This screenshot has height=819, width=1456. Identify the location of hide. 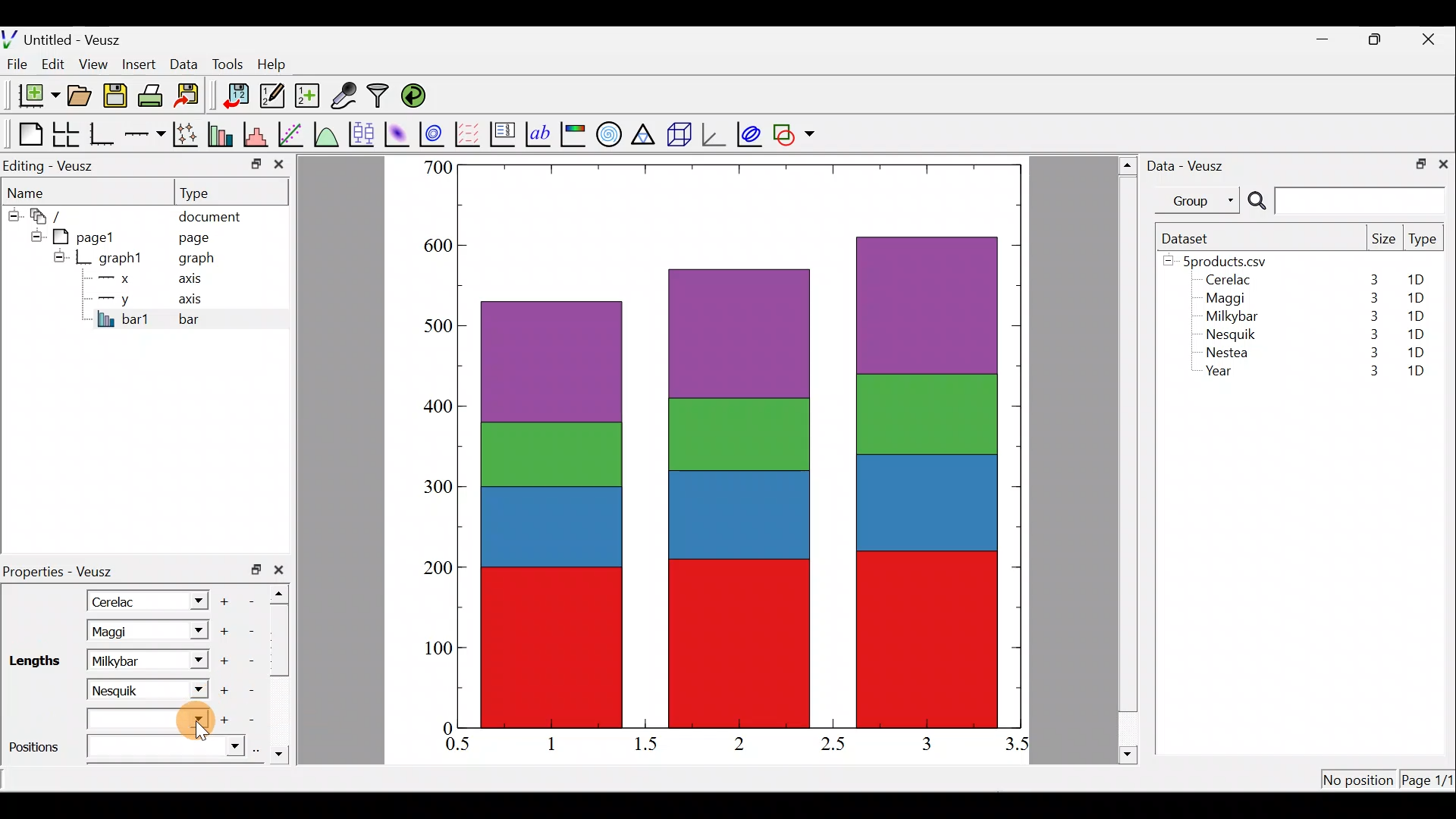
(33, 234).